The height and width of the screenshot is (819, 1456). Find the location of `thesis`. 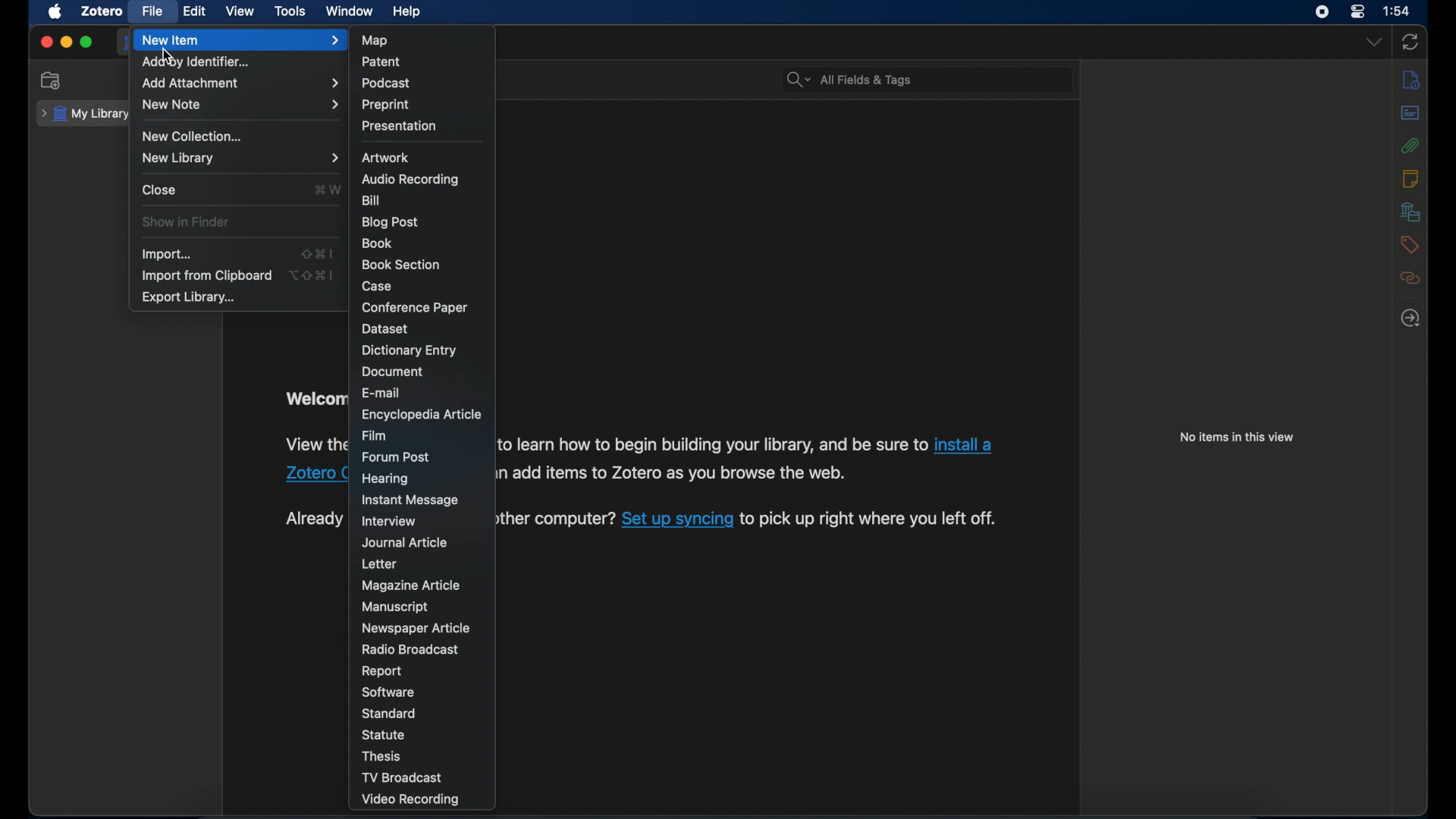

thesis is located at coordinates (382, 756).